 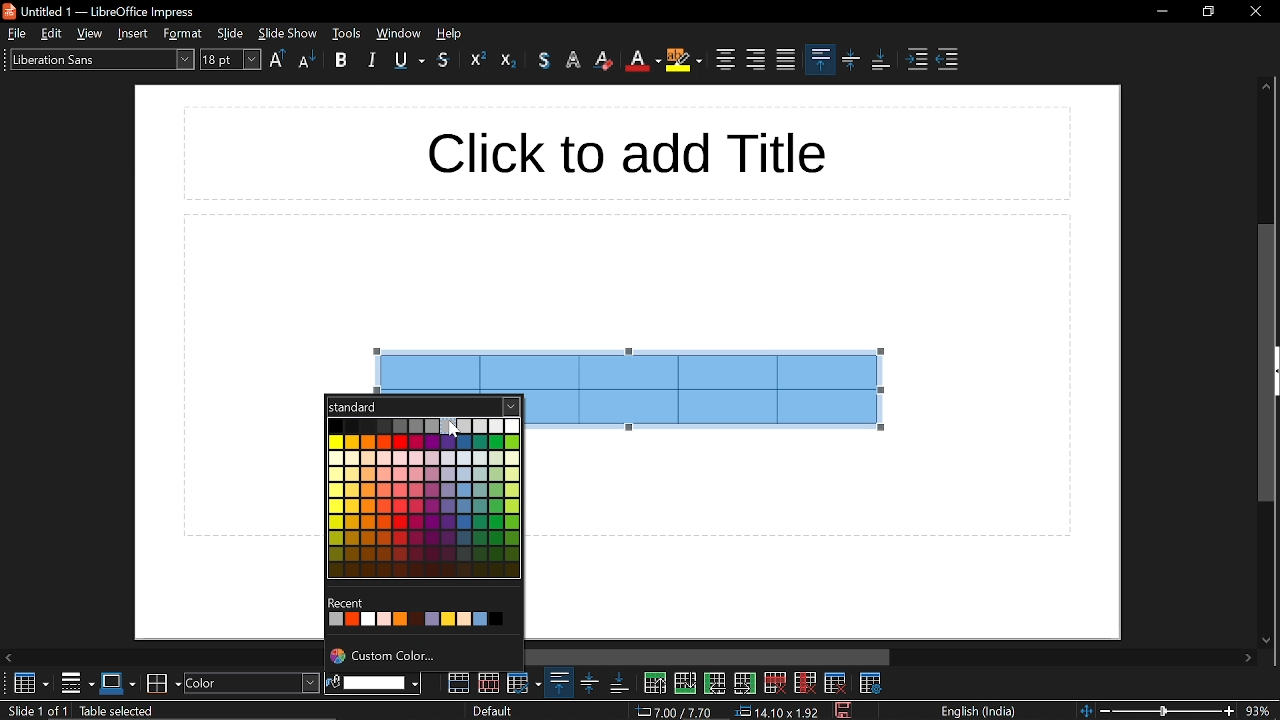 What do you see at coordinates (132, 34) in the screenshot?
I see `insert` at bounding box center [132, 34].